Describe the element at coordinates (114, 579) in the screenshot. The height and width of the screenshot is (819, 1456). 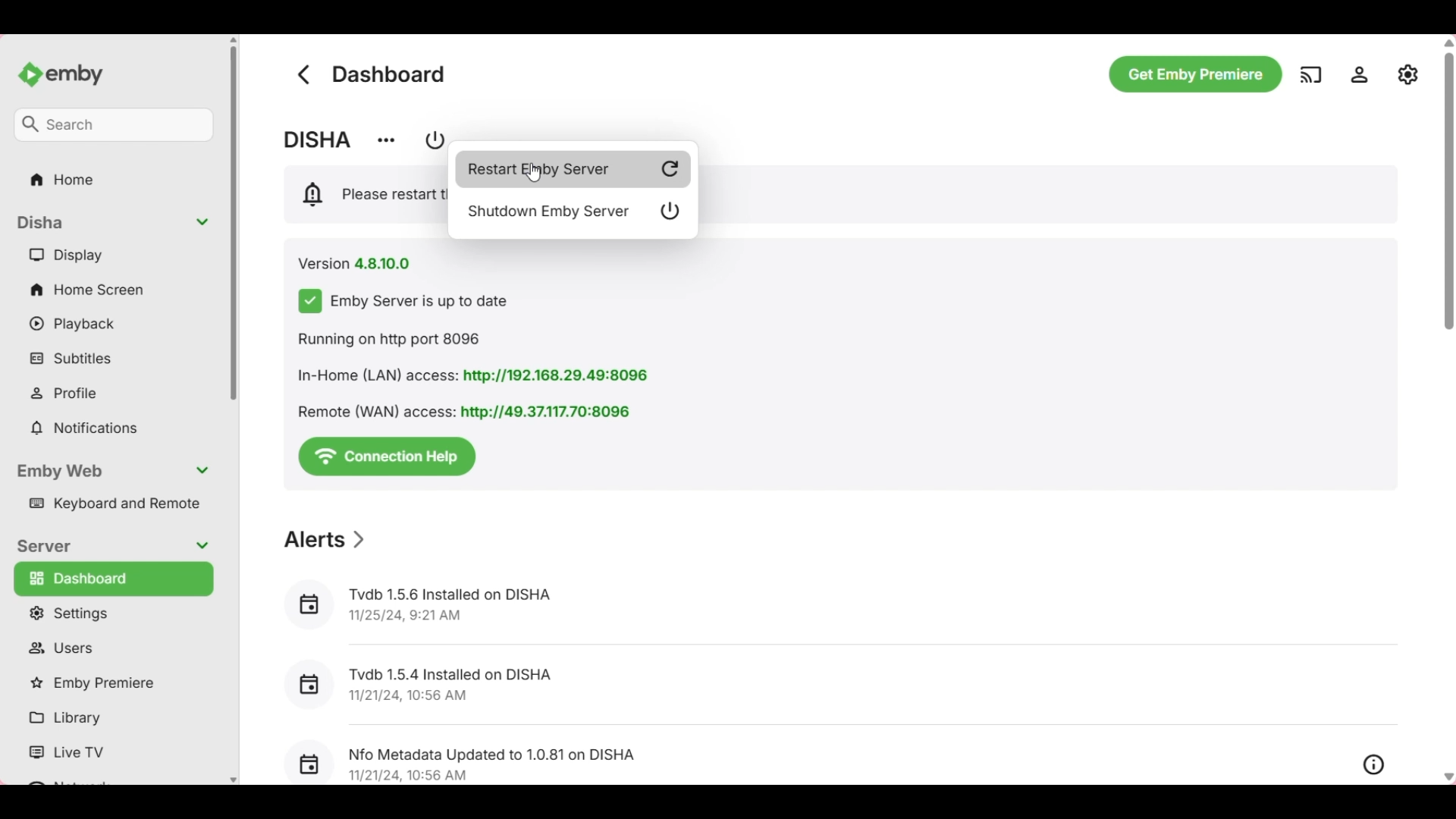
I see `Dashboard, current selection highlighted` at that location.